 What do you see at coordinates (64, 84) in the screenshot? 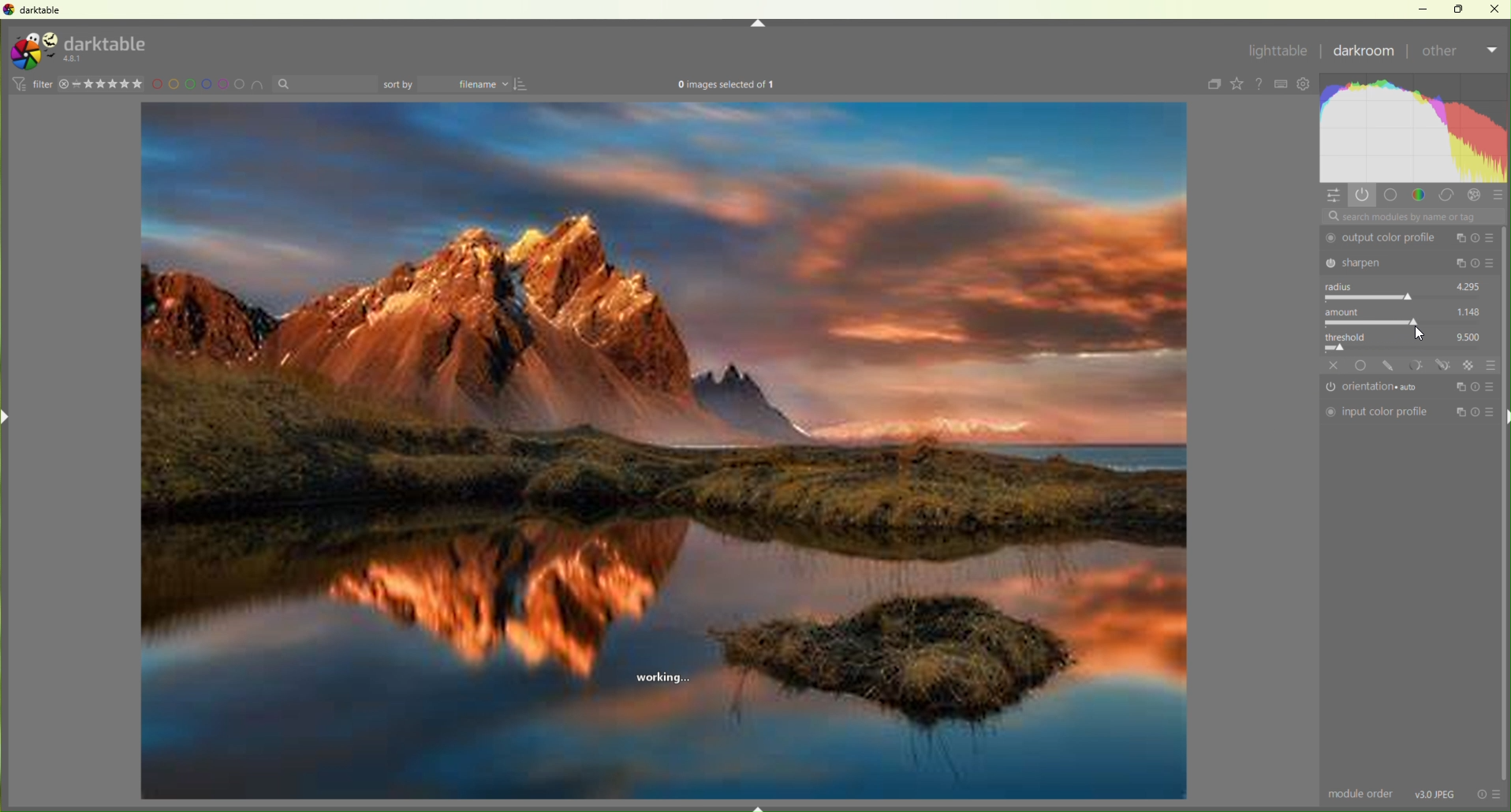
I see `close` at bounding box center [64, 84].